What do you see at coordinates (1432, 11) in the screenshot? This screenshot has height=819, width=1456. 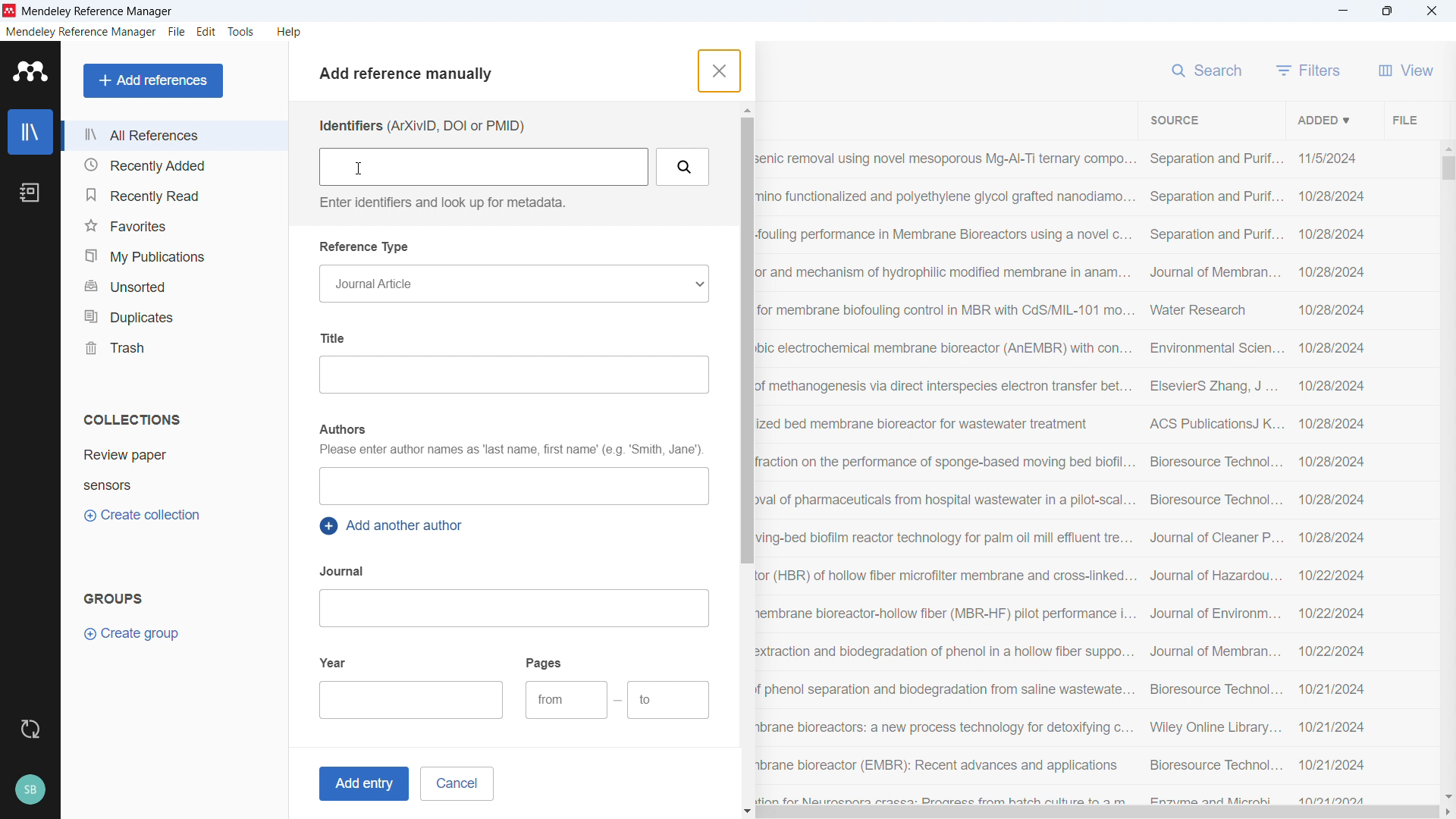 I see `Close` at bounding box center [1432, 11].